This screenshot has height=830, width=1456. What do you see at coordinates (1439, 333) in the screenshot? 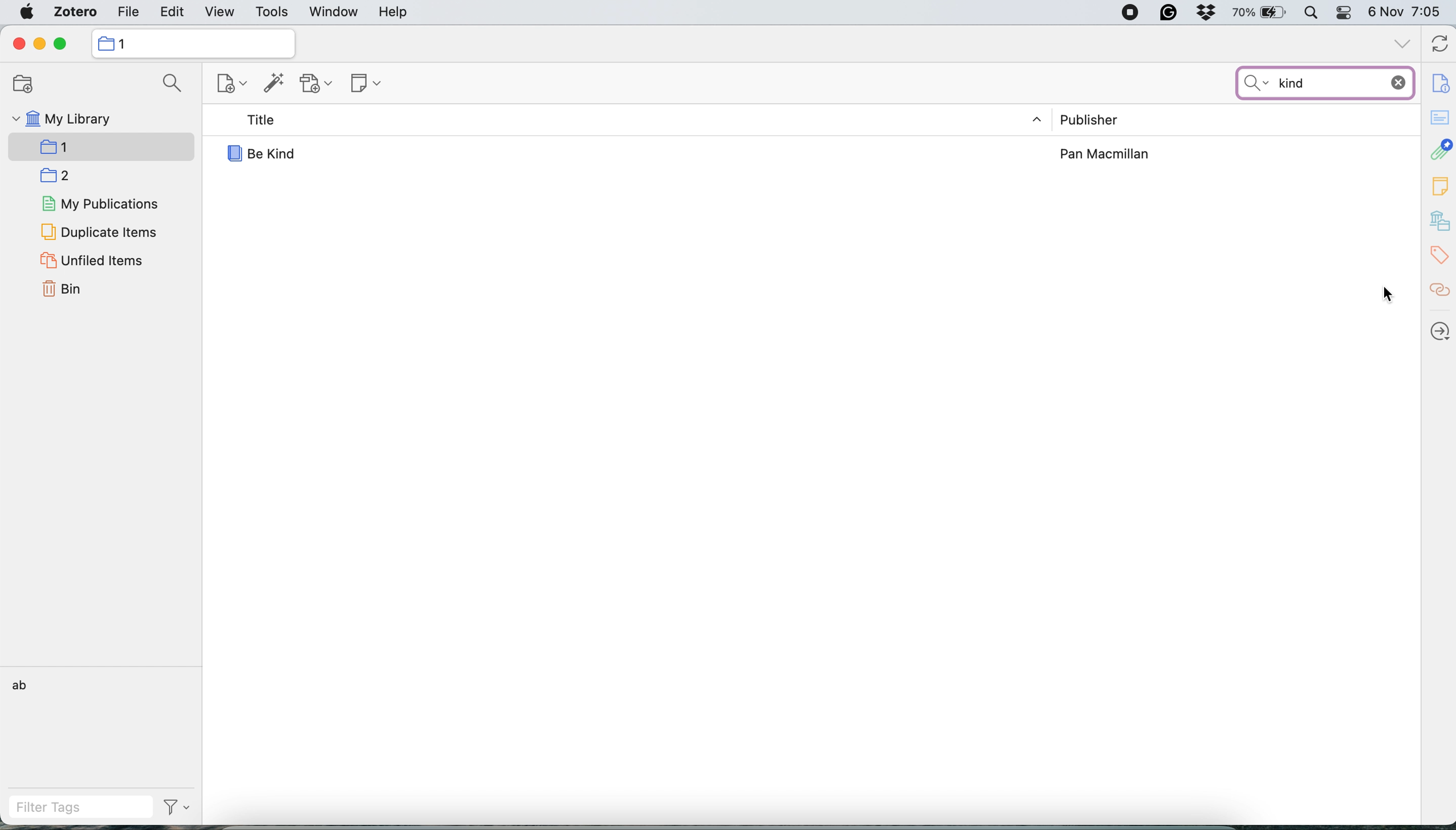
I see `locate` at bounding box center [1439, 333].